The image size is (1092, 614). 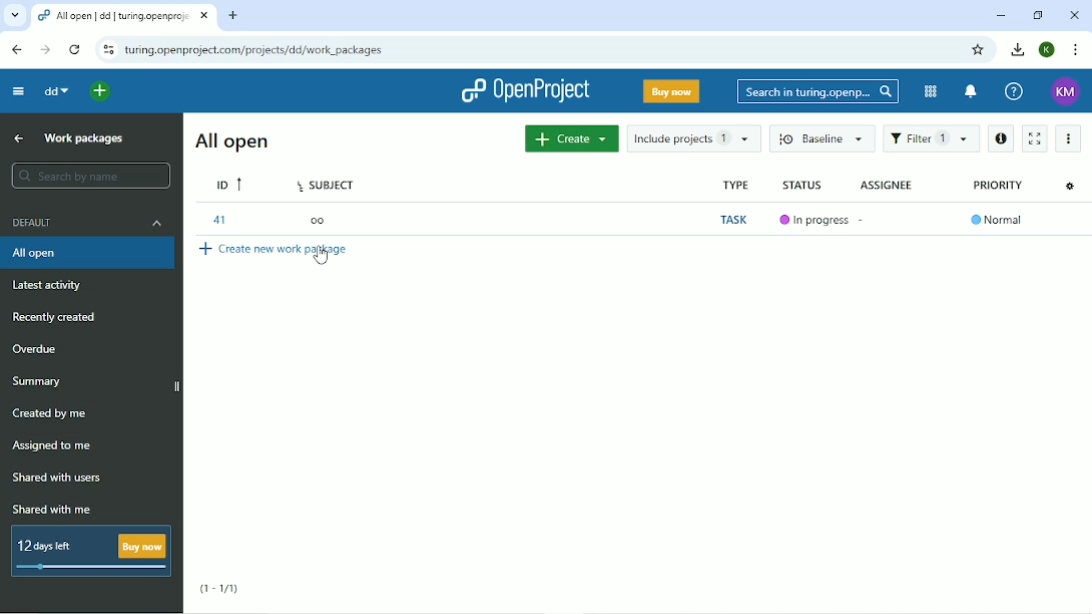 What do you see at coordinates (108, 51) in the screenshot?
I see `View site information` at bounding box center [108, 51].